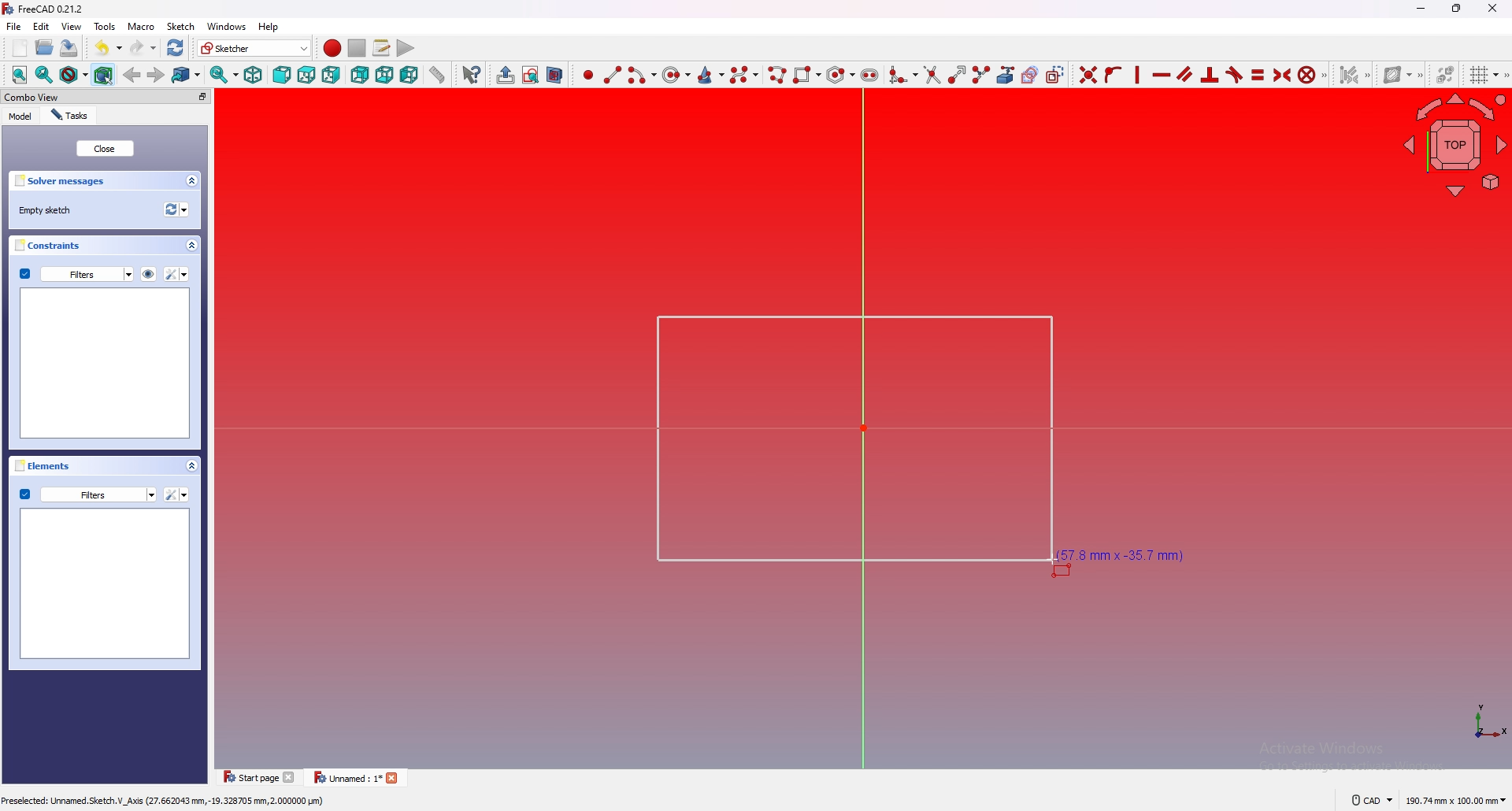  I want to click on toggle grid, so click(1485, 75).